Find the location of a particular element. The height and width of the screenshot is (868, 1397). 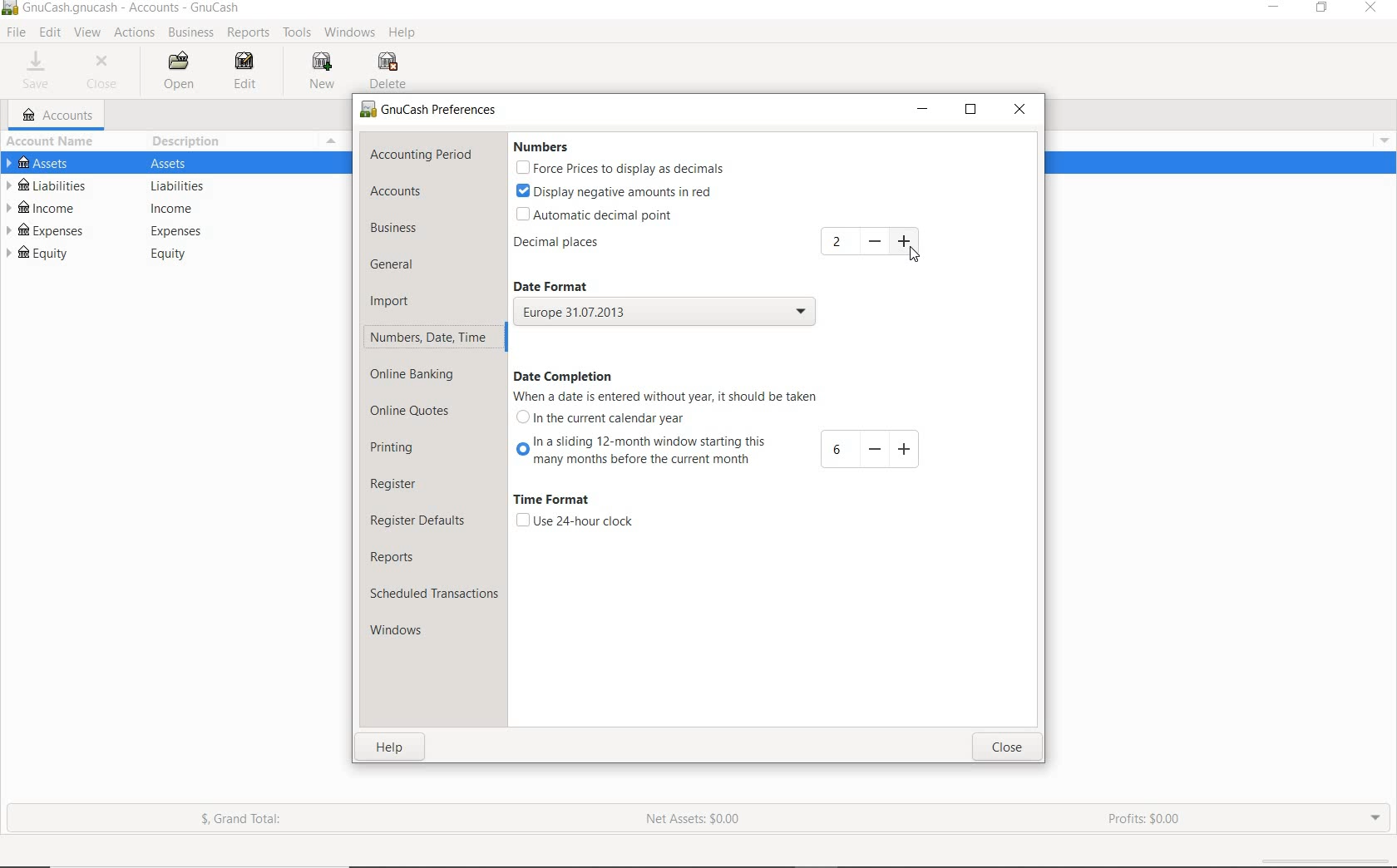

- is located at coordinates (873, 449).